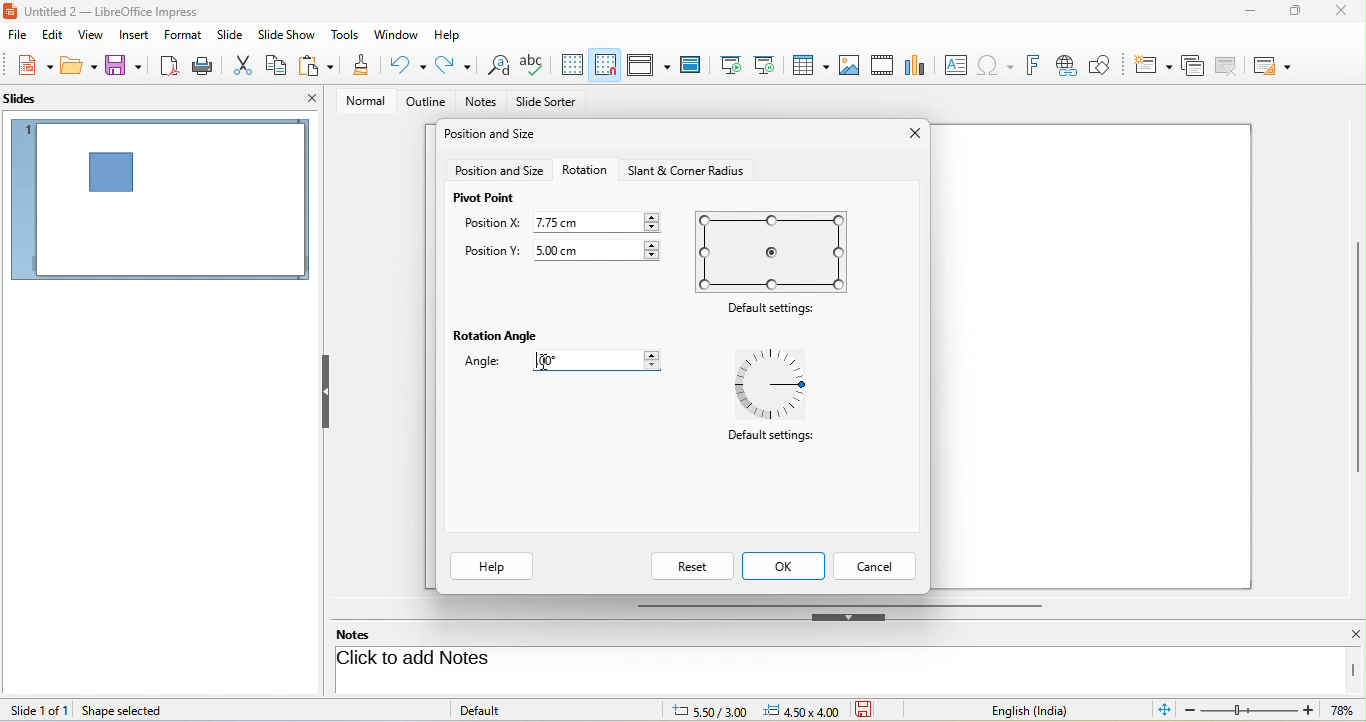  I want to click on format, so click(186, 37).